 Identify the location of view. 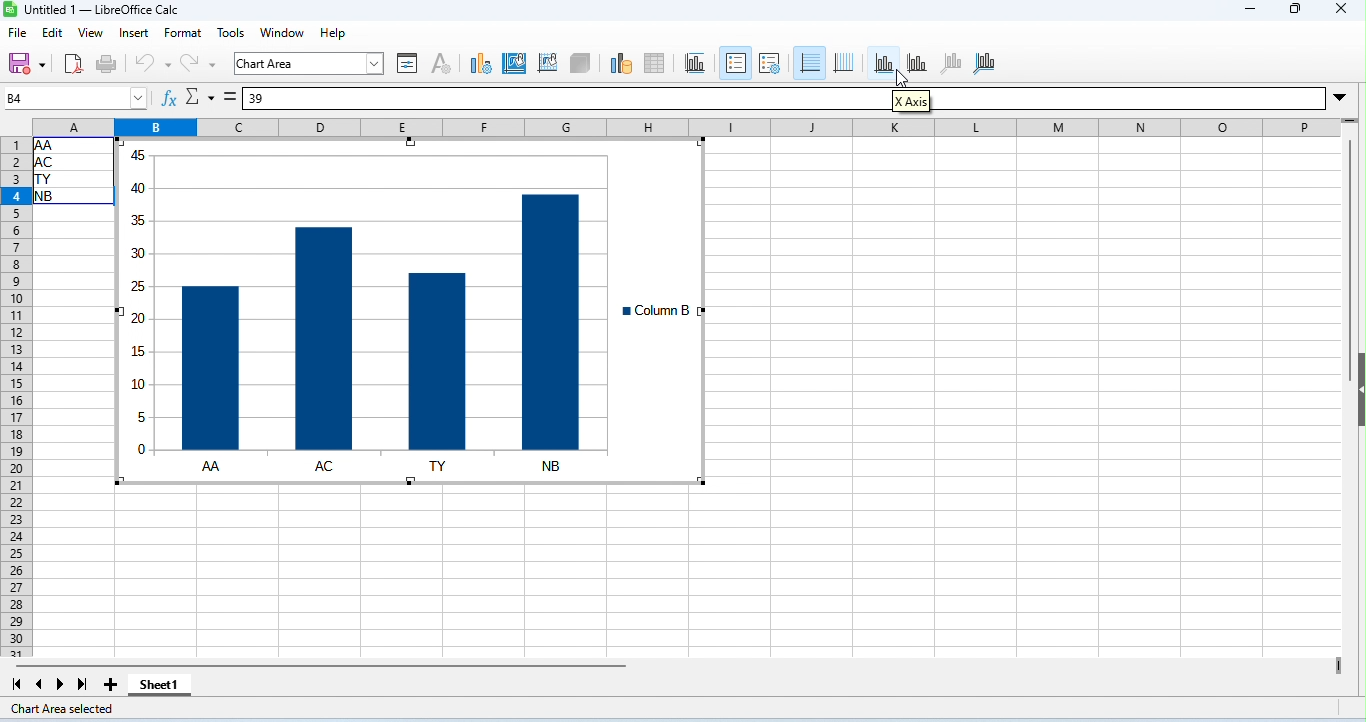
(91, 33).